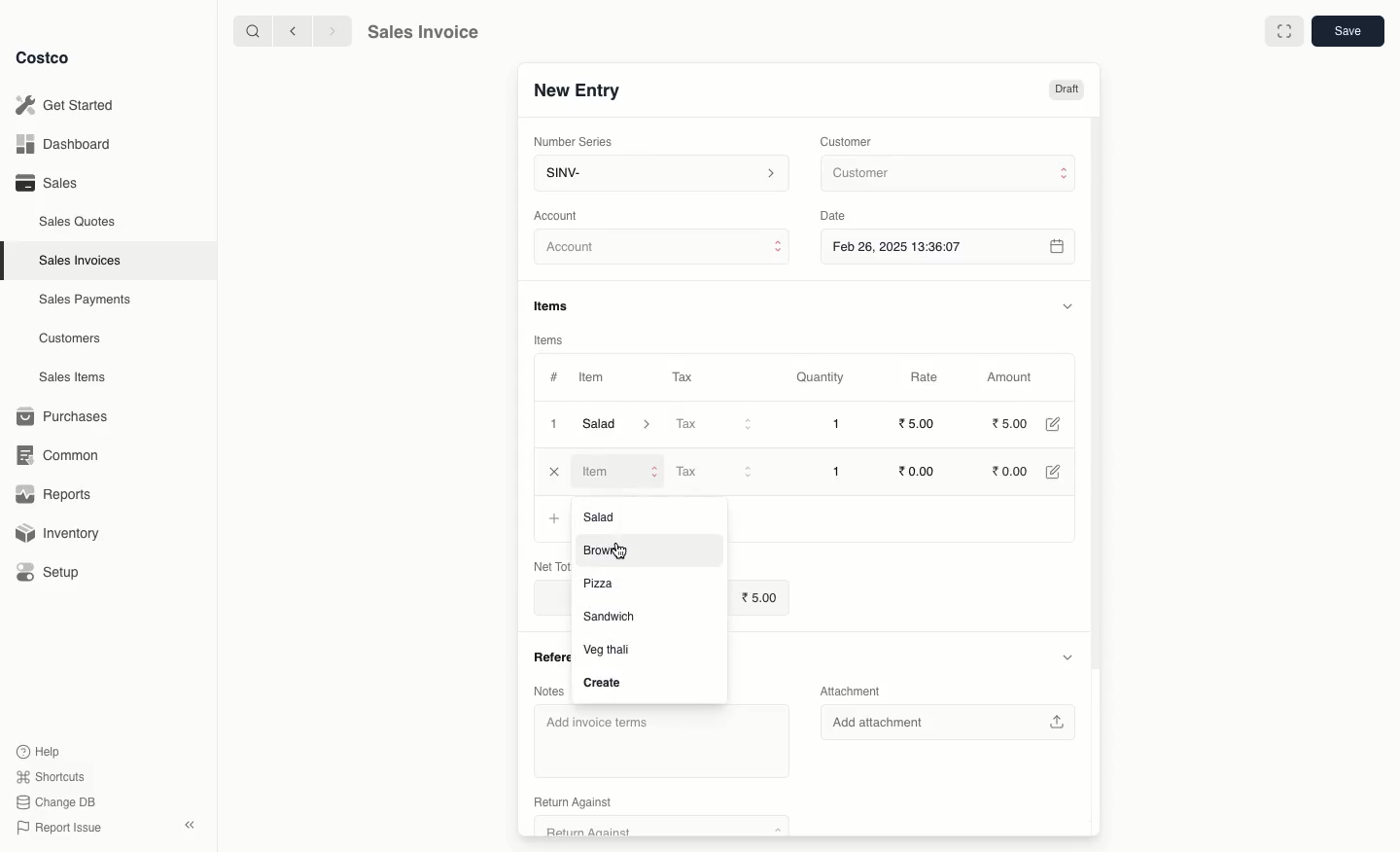 Image resolution: width=1400 pixels, height=852 pixels. What do you see at coordinates (849, 140) in the screenshot?
I see `Customer` at bounding box center [849, 140].